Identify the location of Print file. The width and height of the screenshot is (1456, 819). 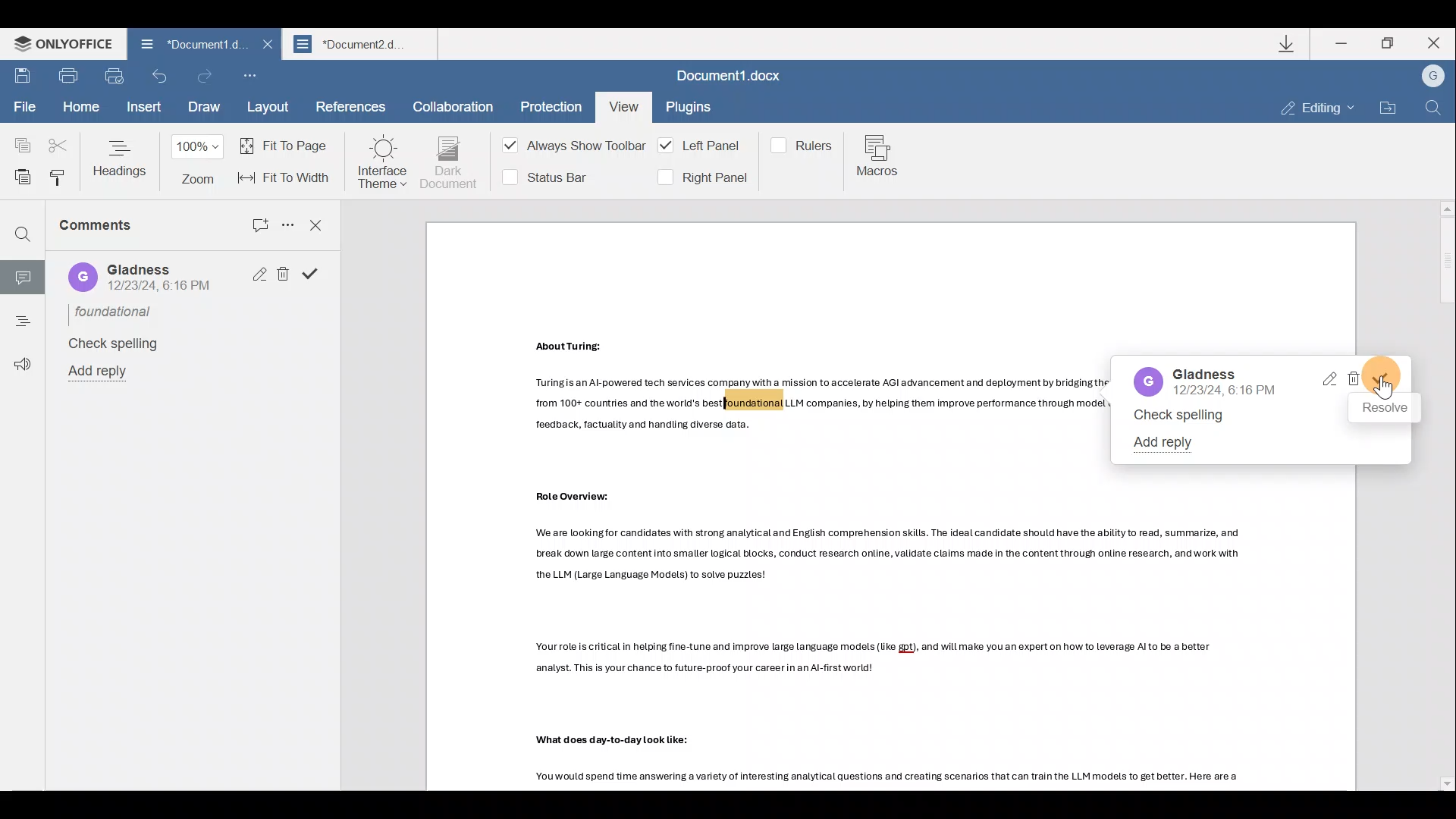
(72, 78).